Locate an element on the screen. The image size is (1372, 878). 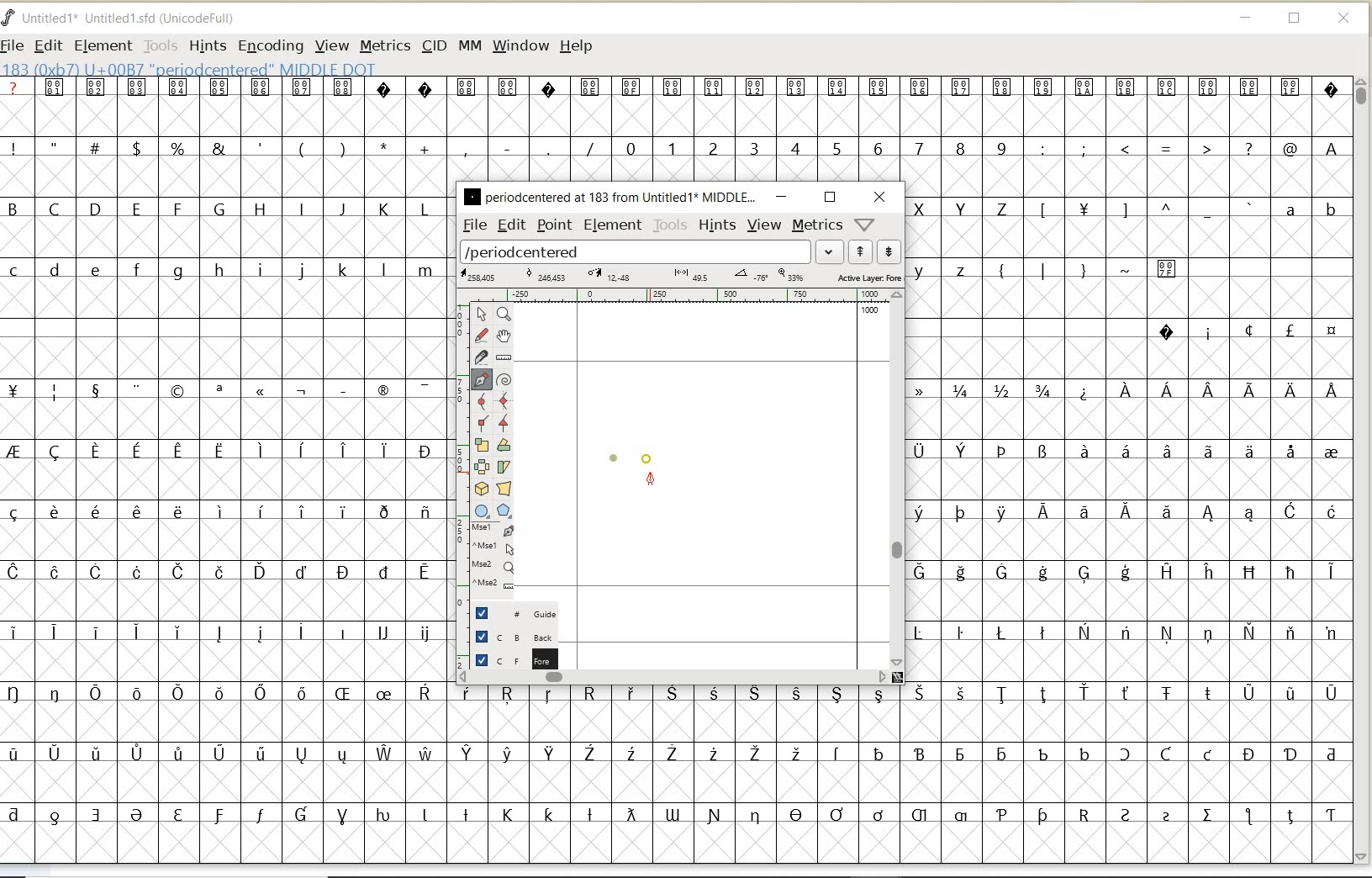
ELEMENT is located at coordinates (103, 45).